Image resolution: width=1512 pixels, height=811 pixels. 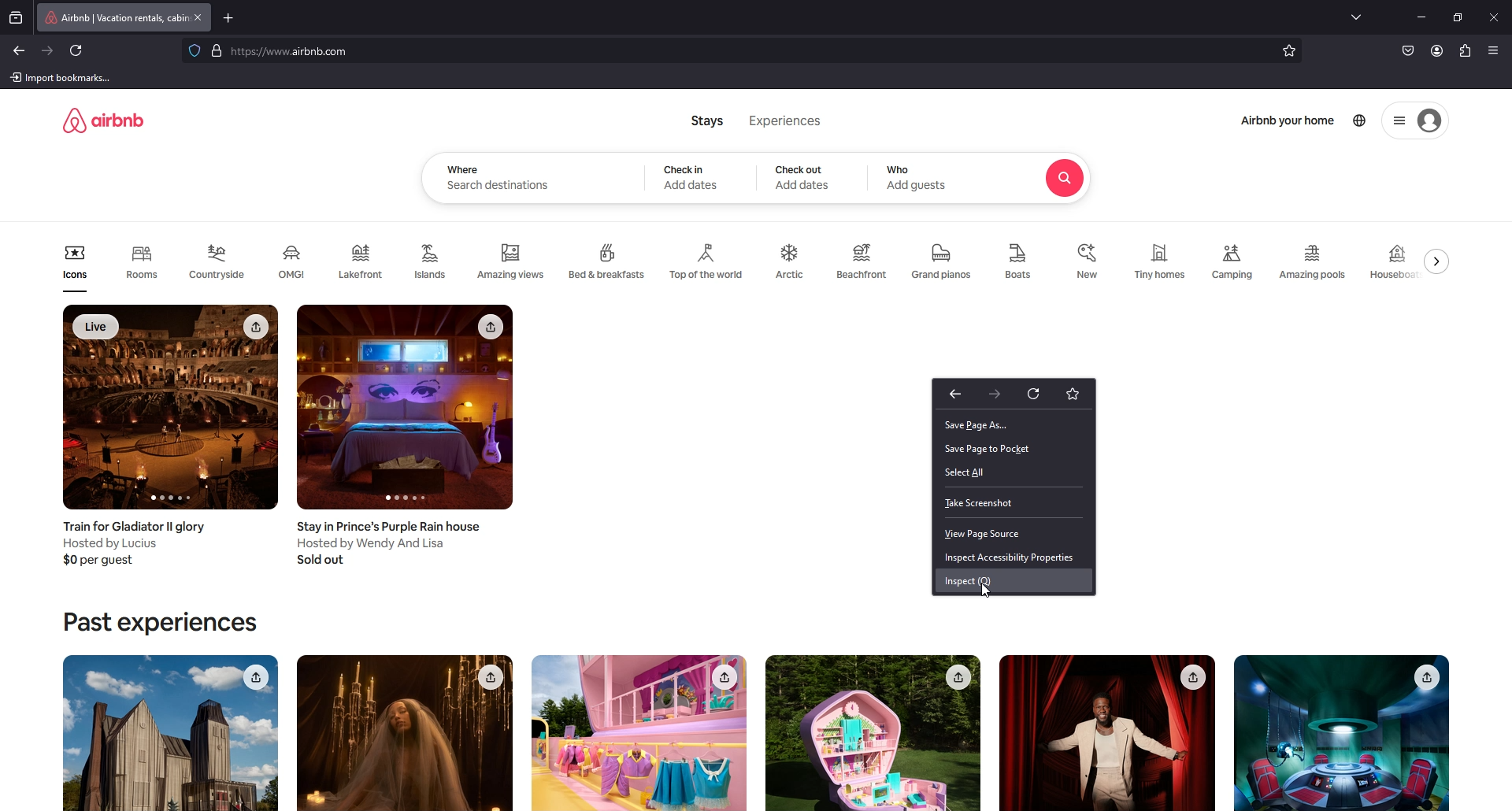 I want to click on Add DAtes, so click(x=693, y=185).